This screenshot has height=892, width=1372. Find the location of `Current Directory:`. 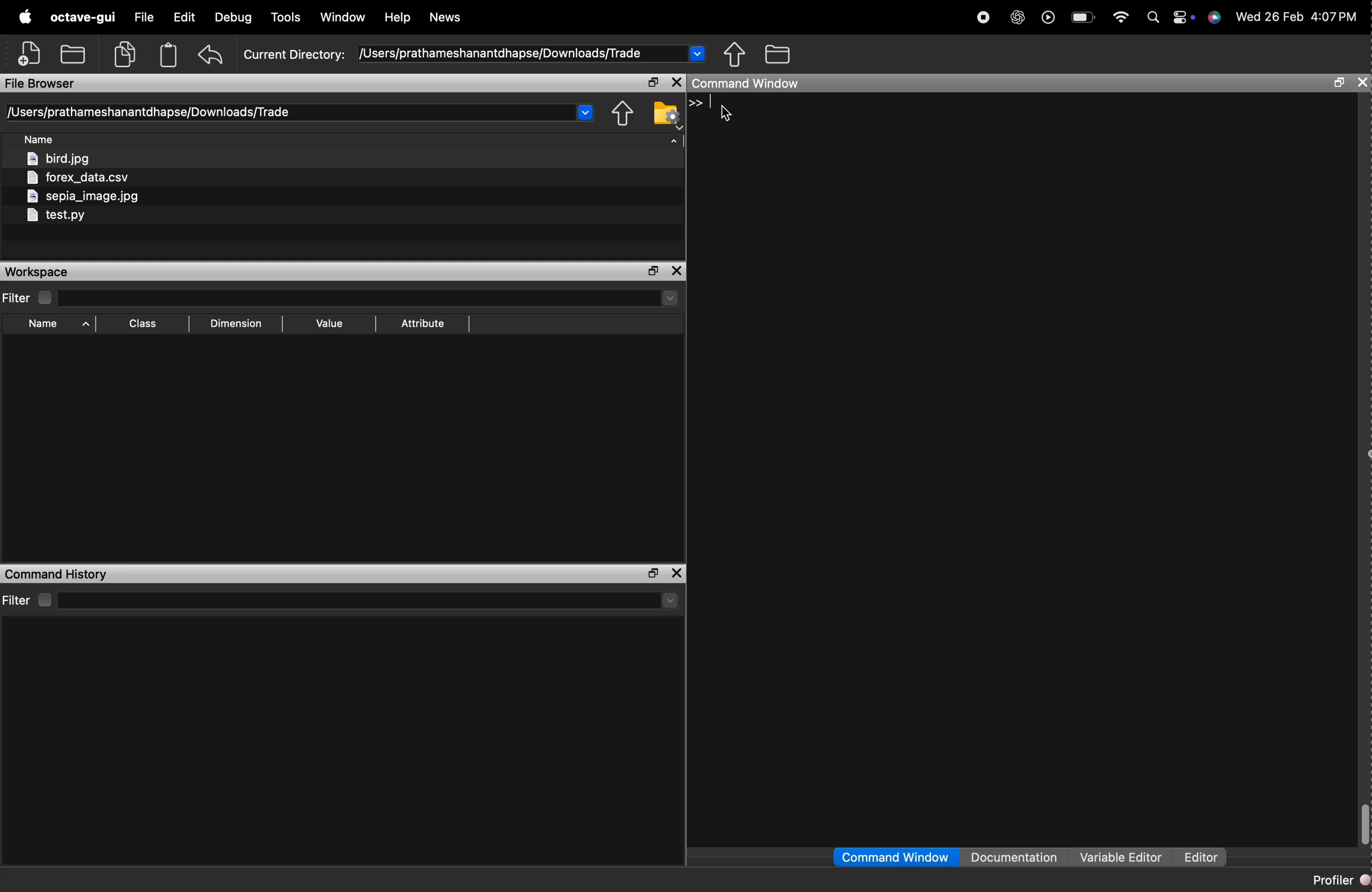

Current Directory: is located at coordinates (293, 55).